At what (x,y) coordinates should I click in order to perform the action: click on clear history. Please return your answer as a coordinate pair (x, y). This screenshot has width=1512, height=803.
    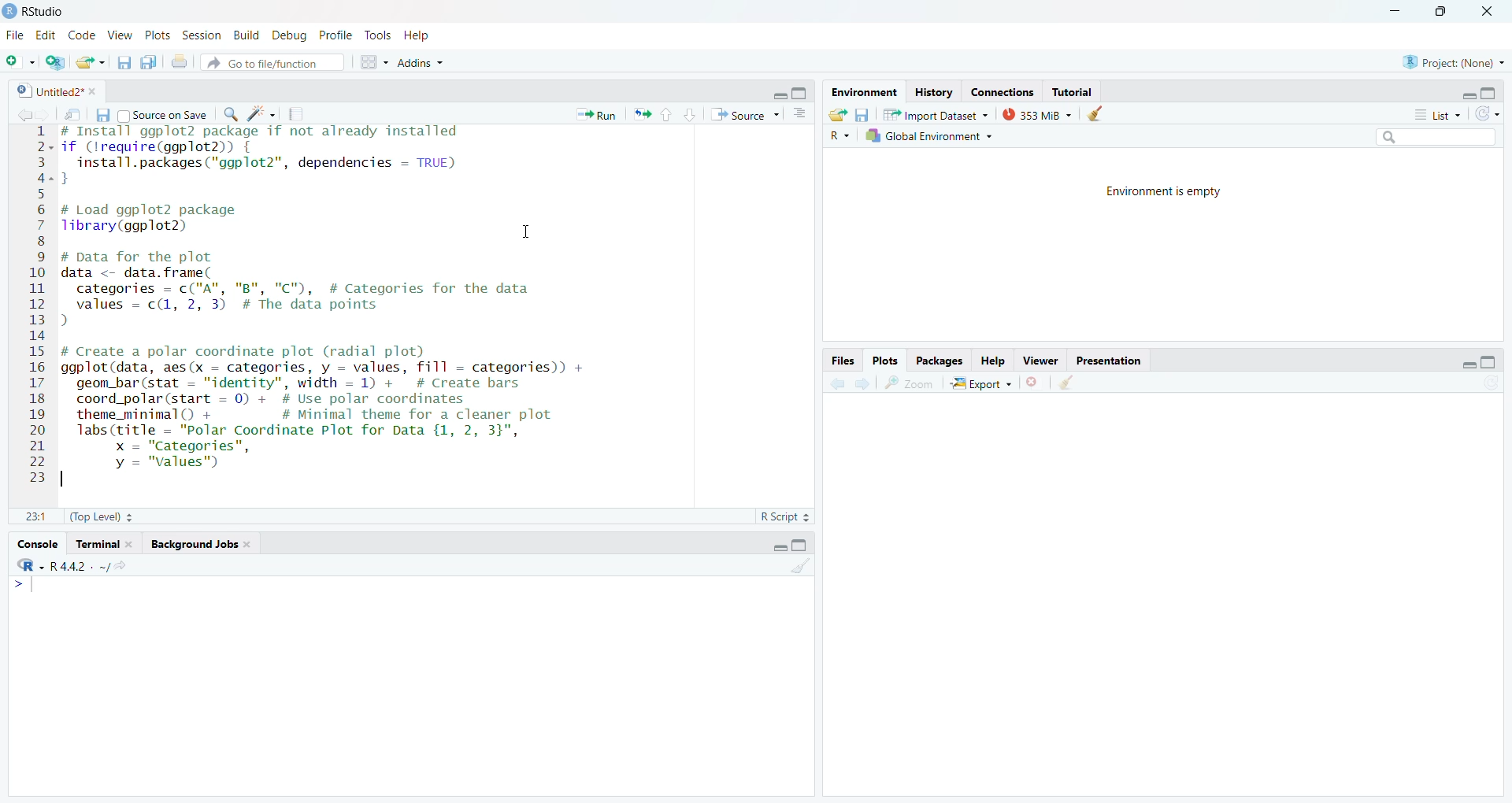
    Looking at the image, I should click on (1102, 114).